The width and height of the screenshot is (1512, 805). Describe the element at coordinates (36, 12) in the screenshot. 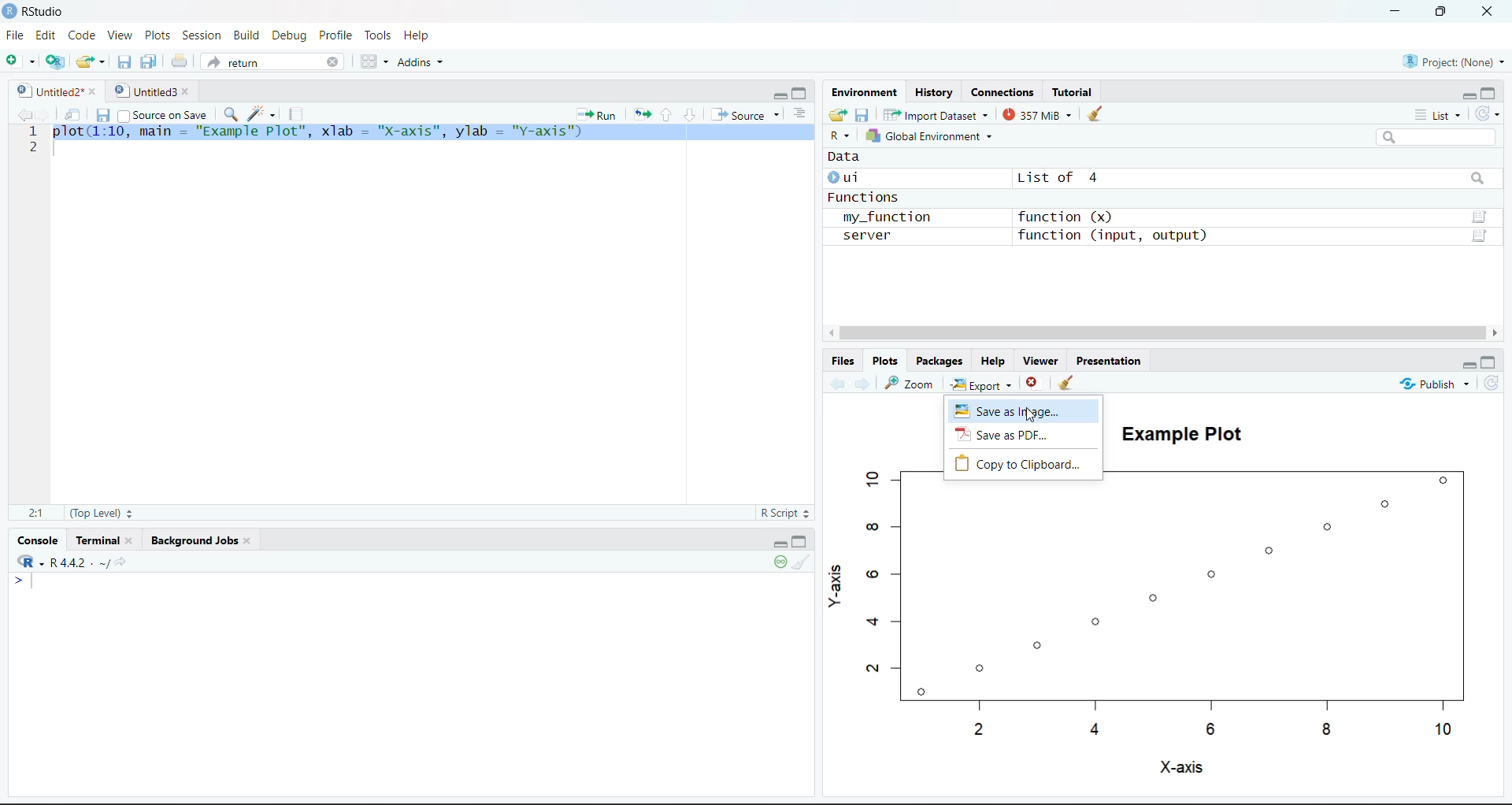

I see `RStudio` at that location.